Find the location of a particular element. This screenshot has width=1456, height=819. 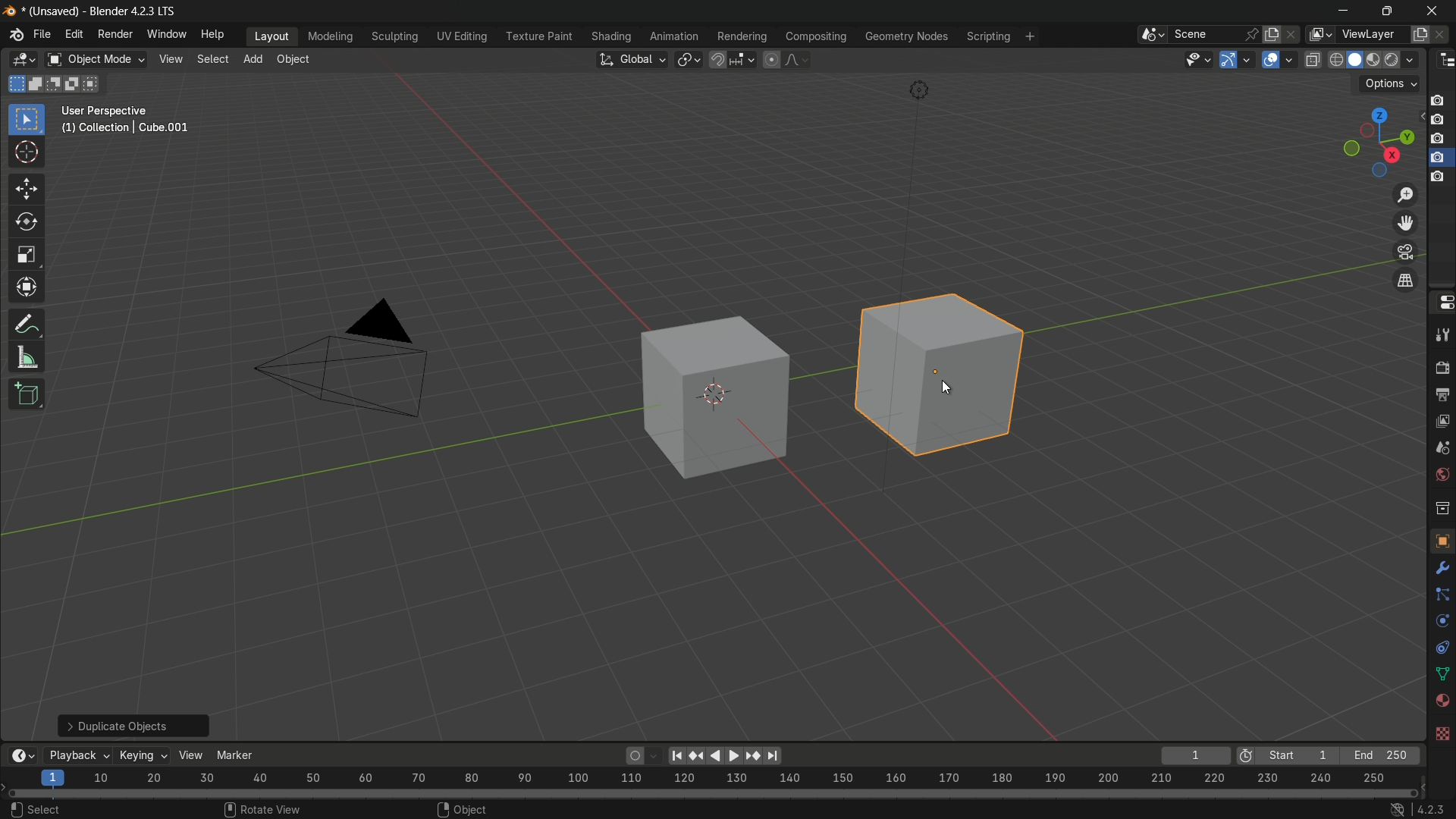

scripting menu is located at coordinates (987, 36).